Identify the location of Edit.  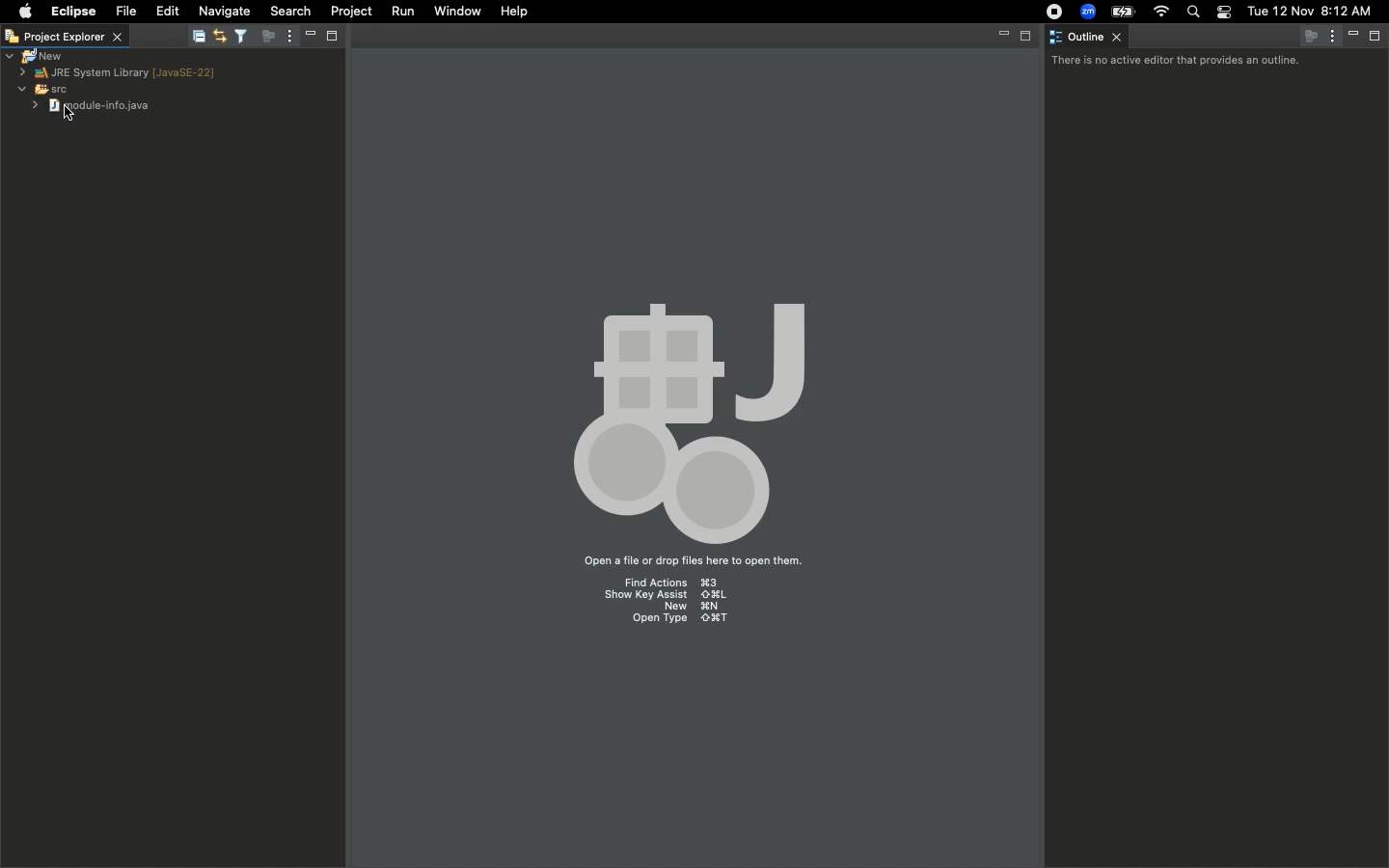
(165, 10).